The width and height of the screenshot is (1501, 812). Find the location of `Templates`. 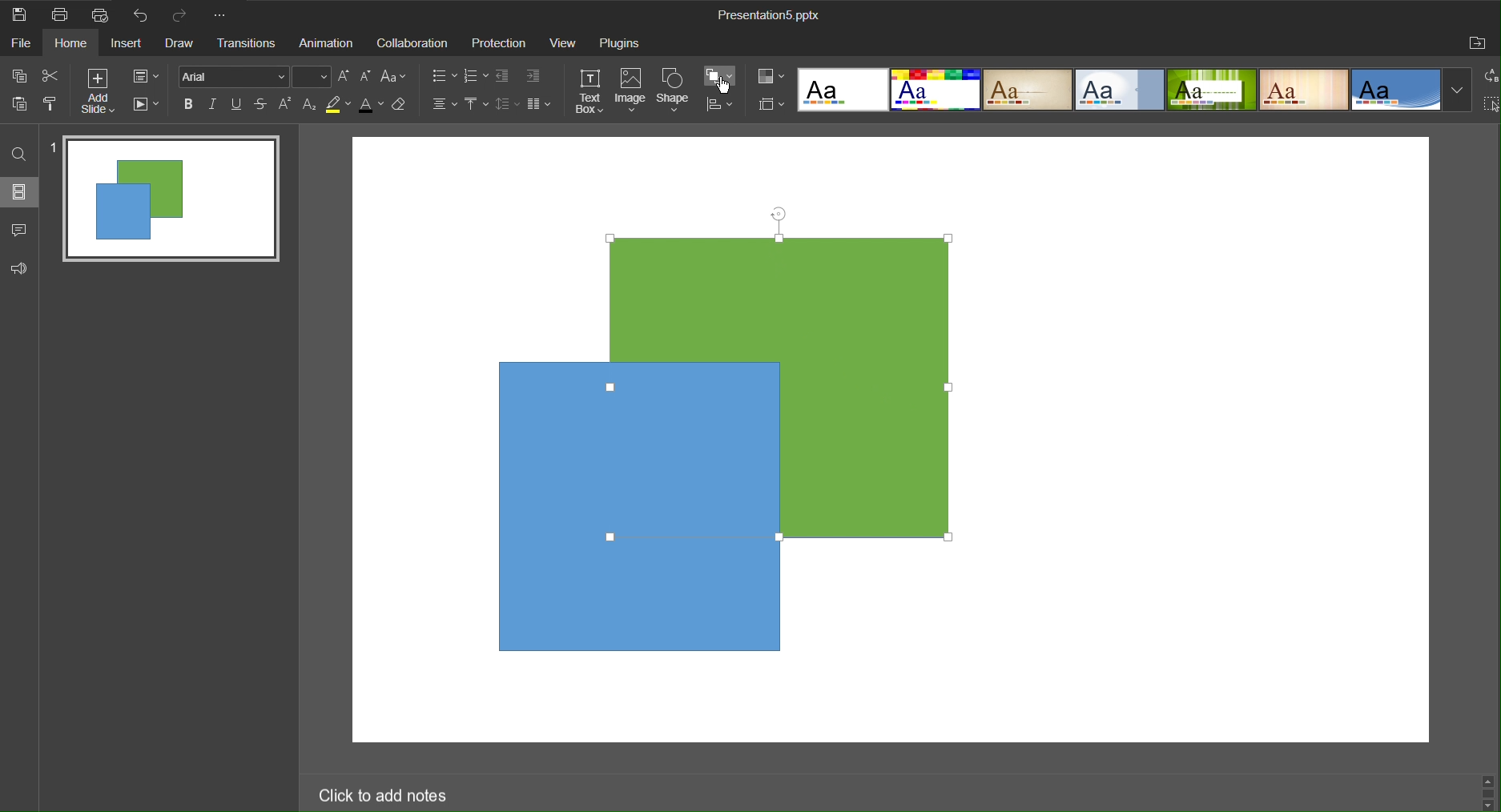

Templates is located at coordinates (1132, 89).